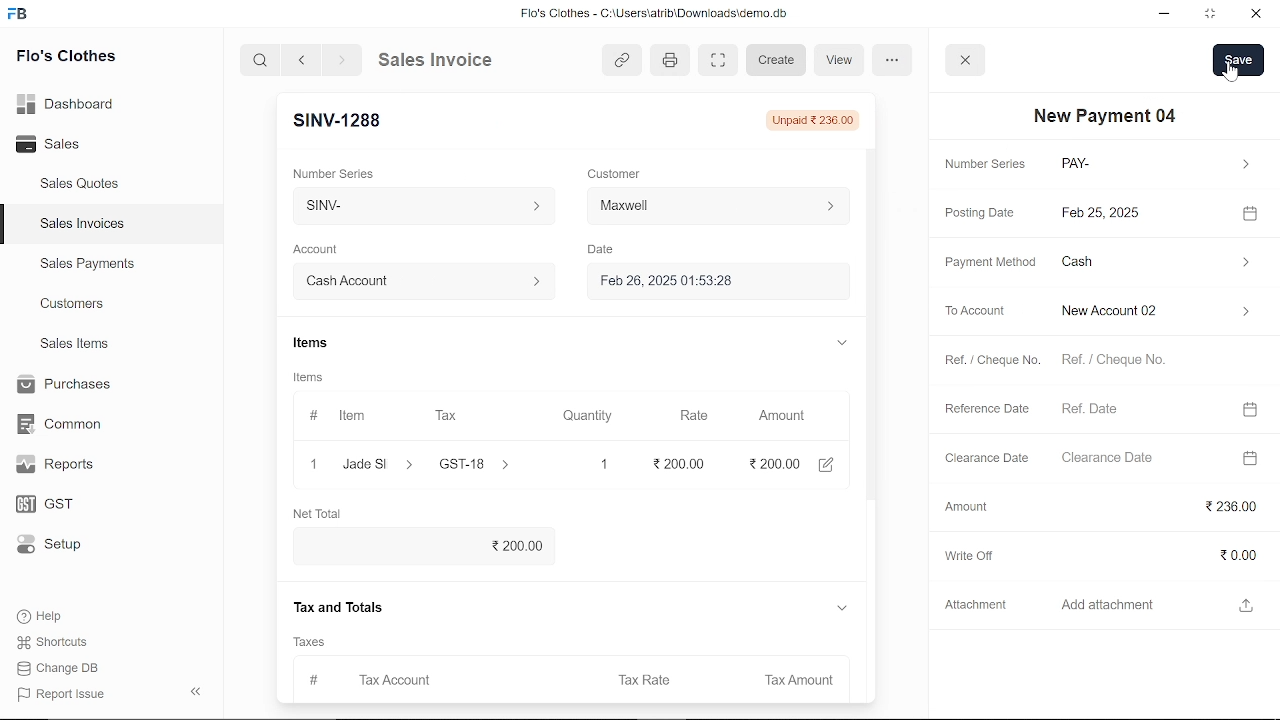  What do you see at coordinates (1158, 548) in the screenshot?
I see `0.00` at bounding box center [1158, 548].